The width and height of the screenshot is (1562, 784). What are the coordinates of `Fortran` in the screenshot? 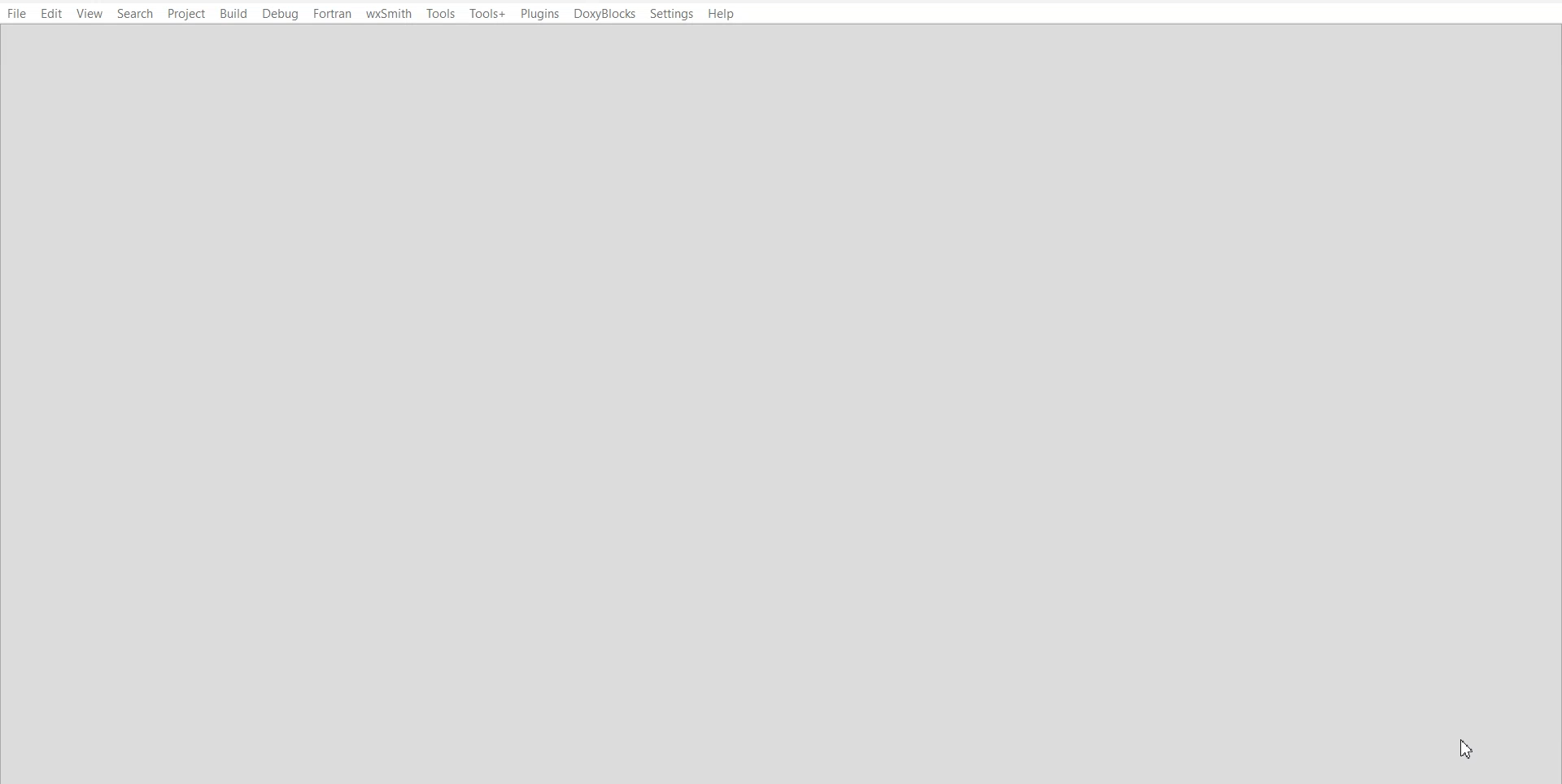 It's located at (334, 14).